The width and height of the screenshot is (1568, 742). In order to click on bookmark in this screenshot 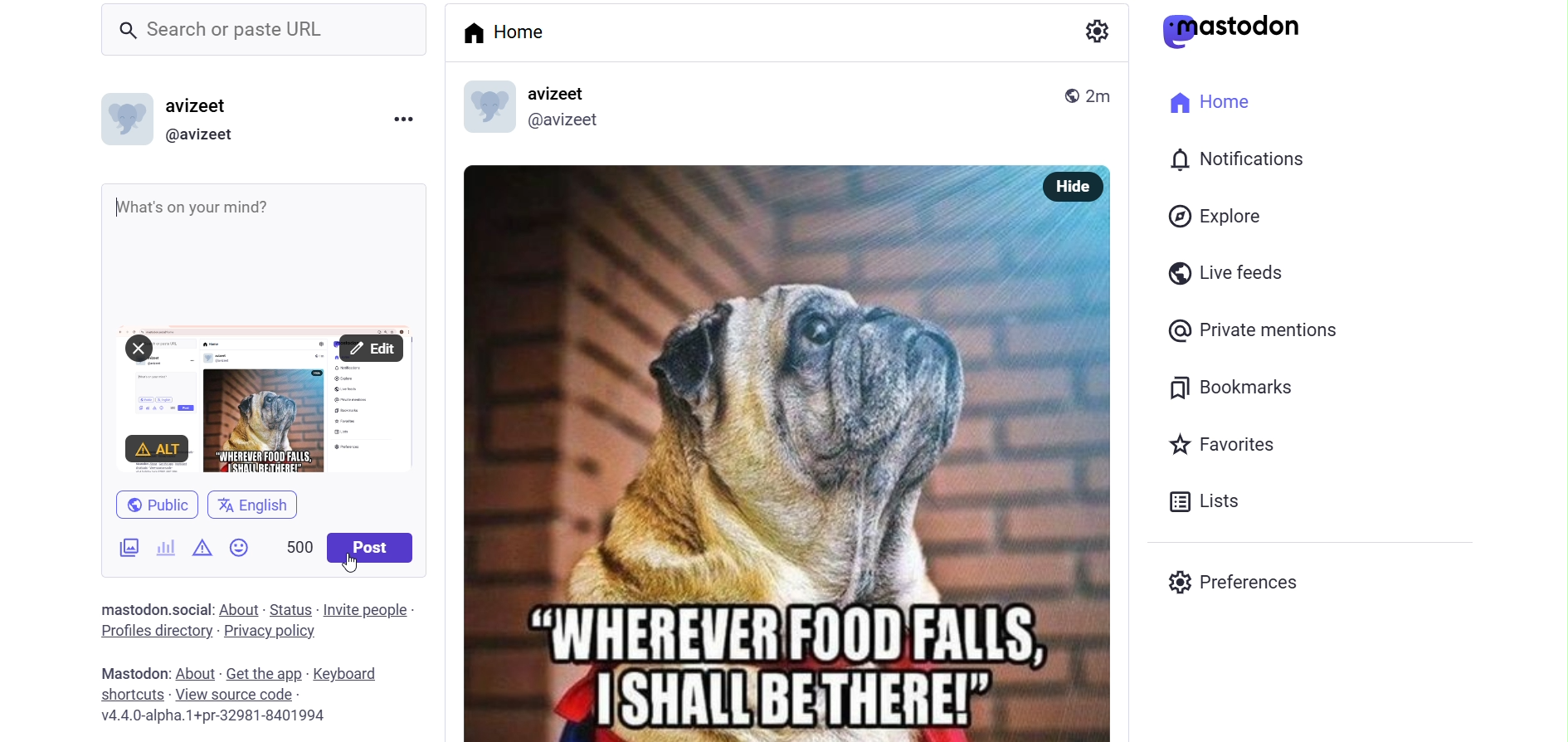, I will do `click(1220, 387)`.